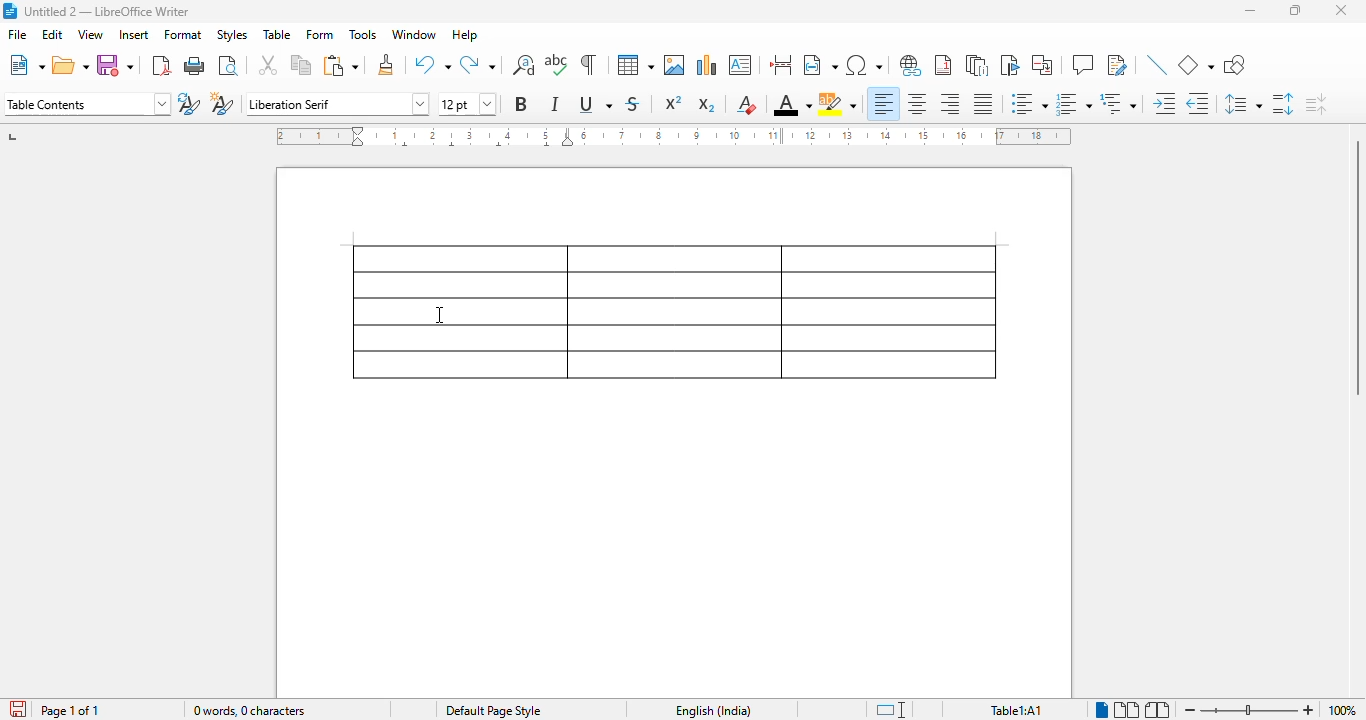 Image resolution: width=1366 pixels, height=720 pixels. I want to click on insert line, so click(1158, 64).